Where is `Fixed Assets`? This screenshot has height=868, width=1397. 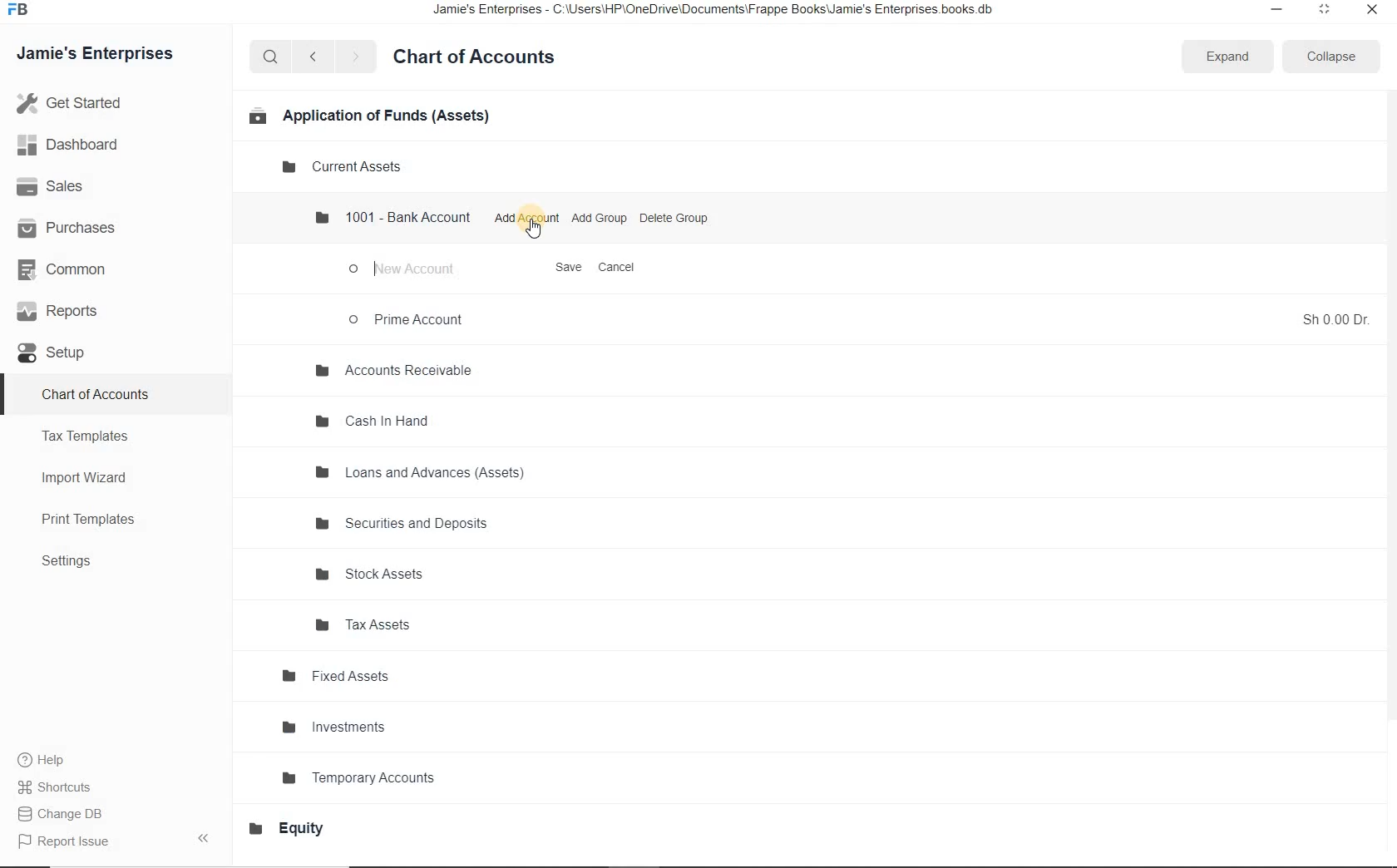 Fixed Assets is located at coordinates (337, 677).